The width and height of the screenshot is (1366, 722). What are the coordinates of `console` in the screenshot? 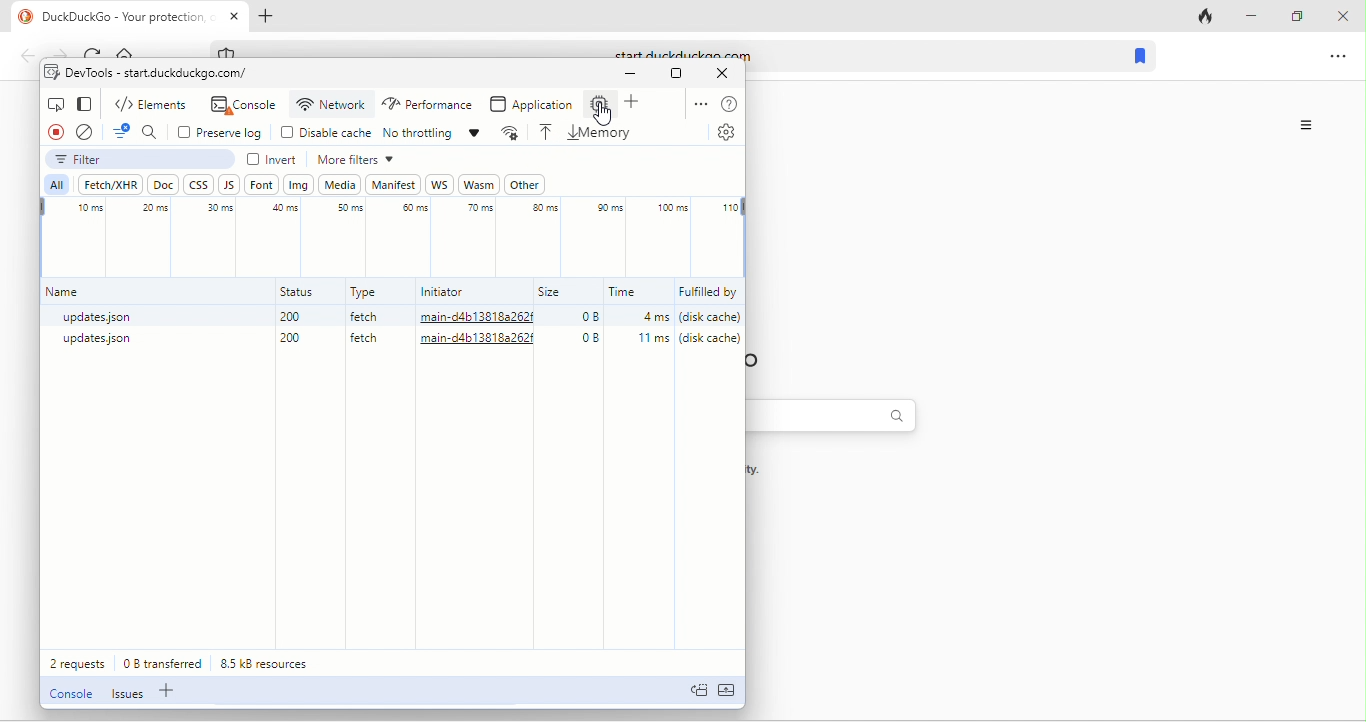 It's located at (72, 695).